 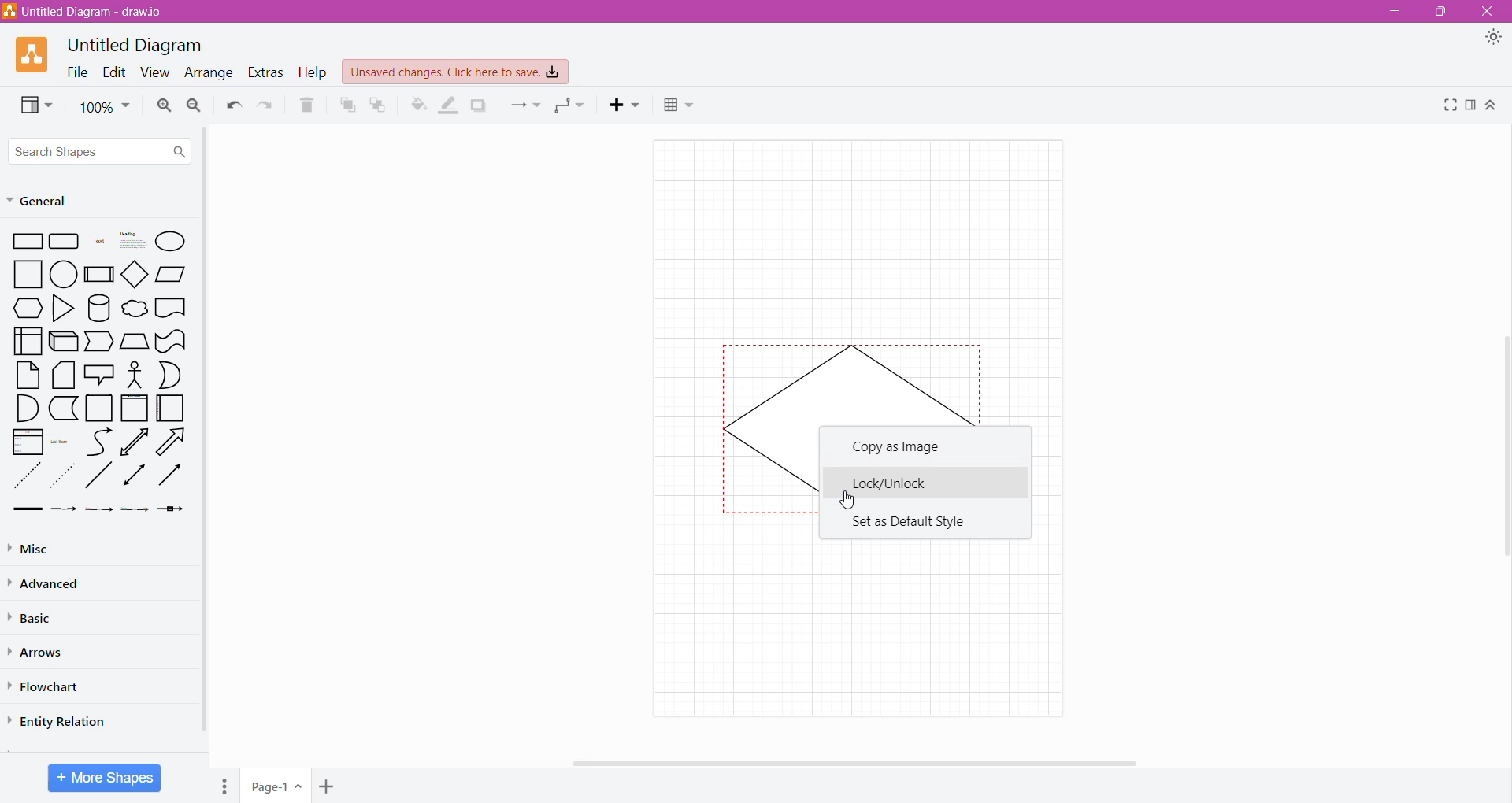 I want to click on Connection, so click(x=525, y=105).